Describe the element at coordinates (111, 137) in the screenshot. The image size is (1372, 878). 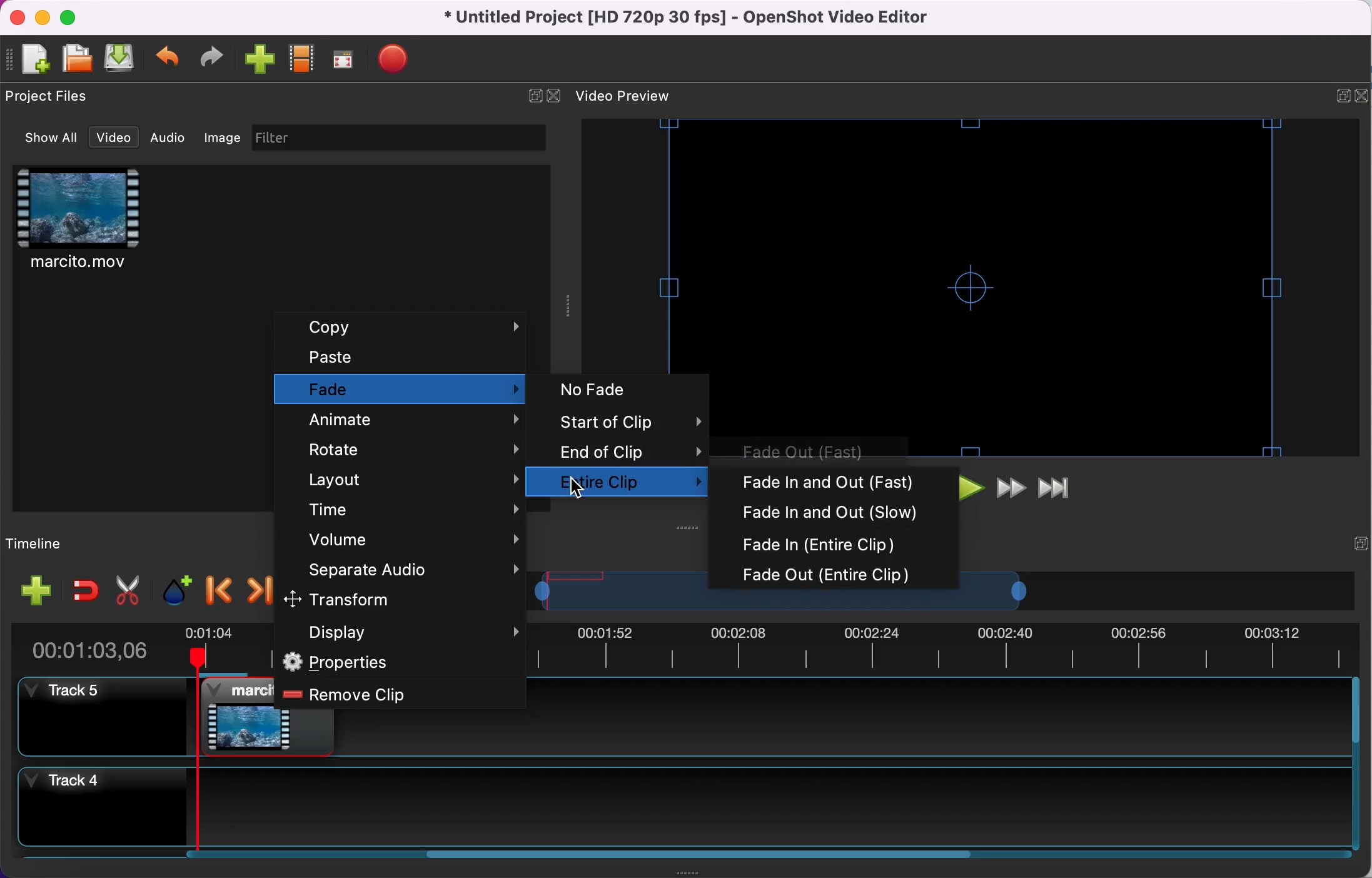
I see `video` at that location.